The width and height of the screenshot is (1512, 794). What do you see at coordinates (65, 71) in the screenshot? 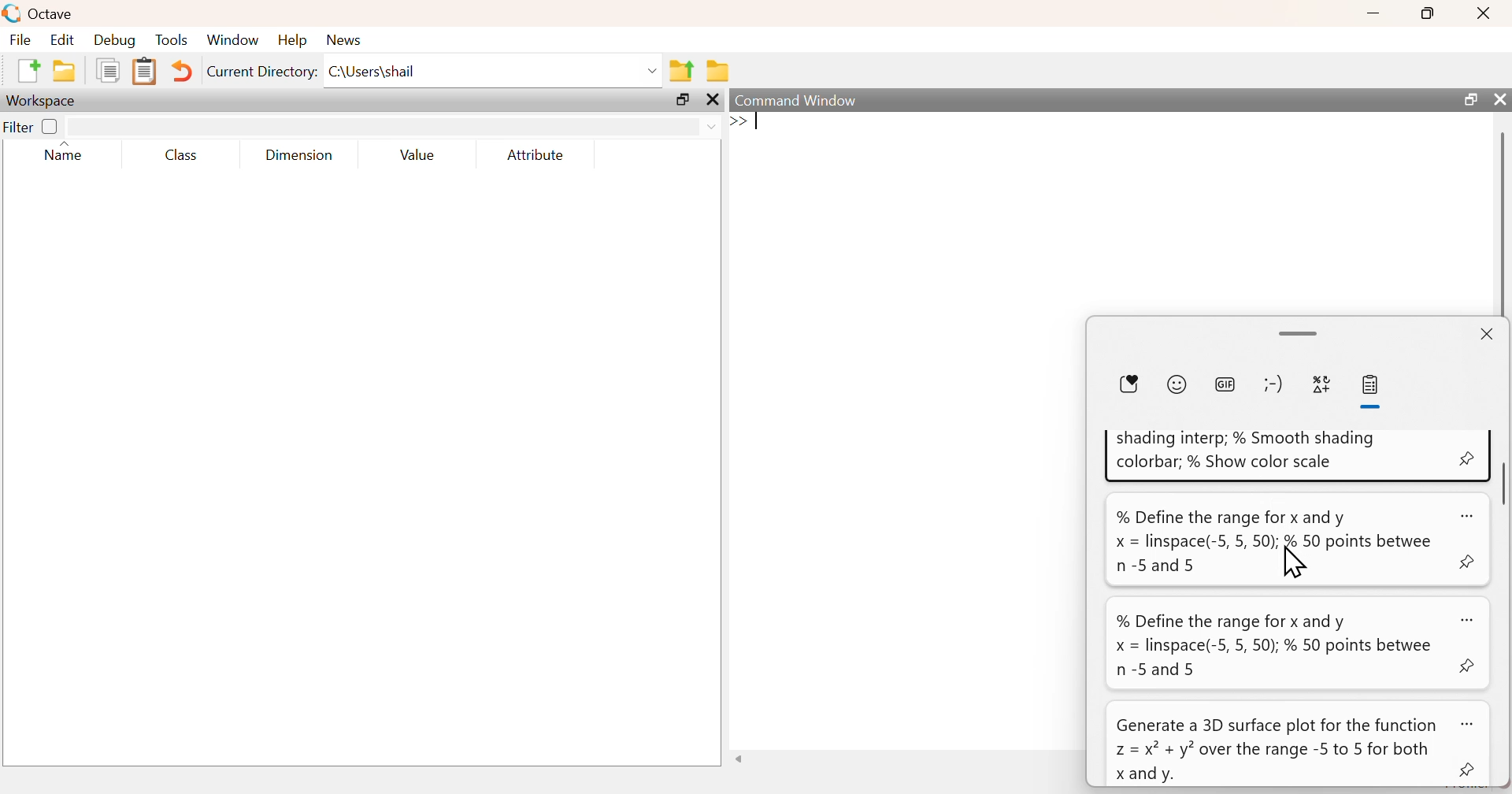
I see `New Folder` at bounding box center [65, 71].